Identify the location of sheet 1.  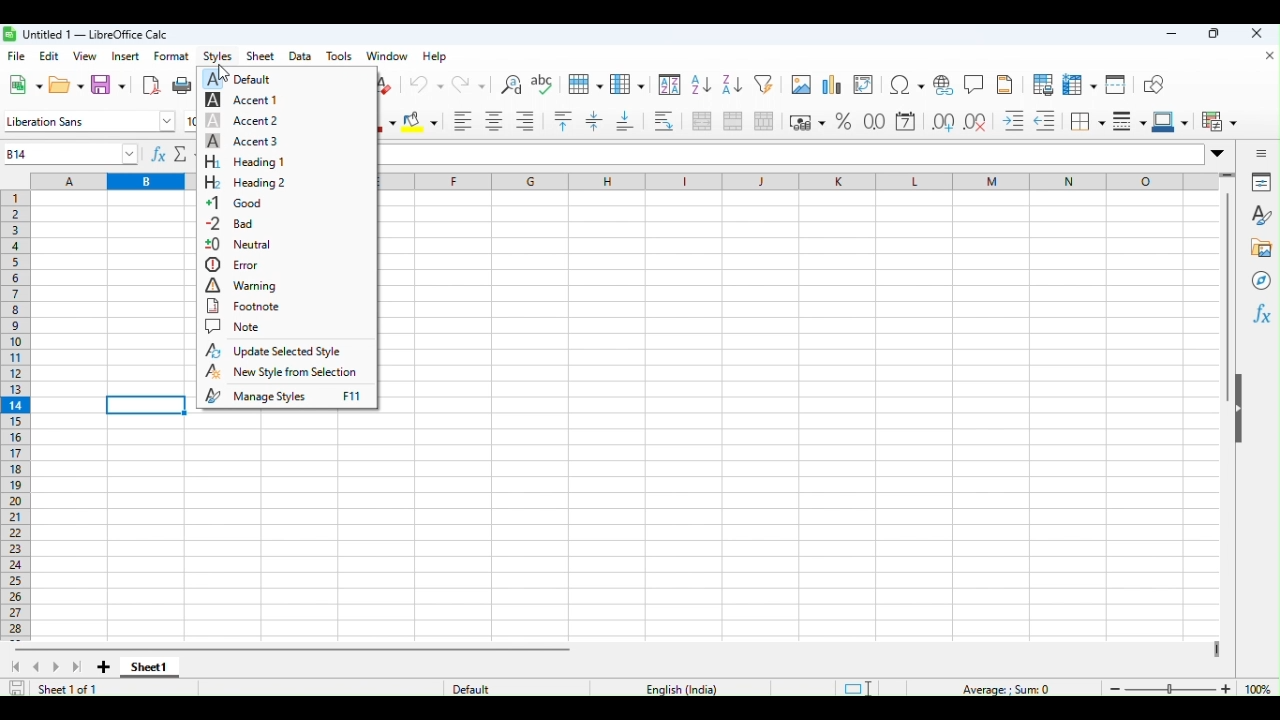
(152, 666).